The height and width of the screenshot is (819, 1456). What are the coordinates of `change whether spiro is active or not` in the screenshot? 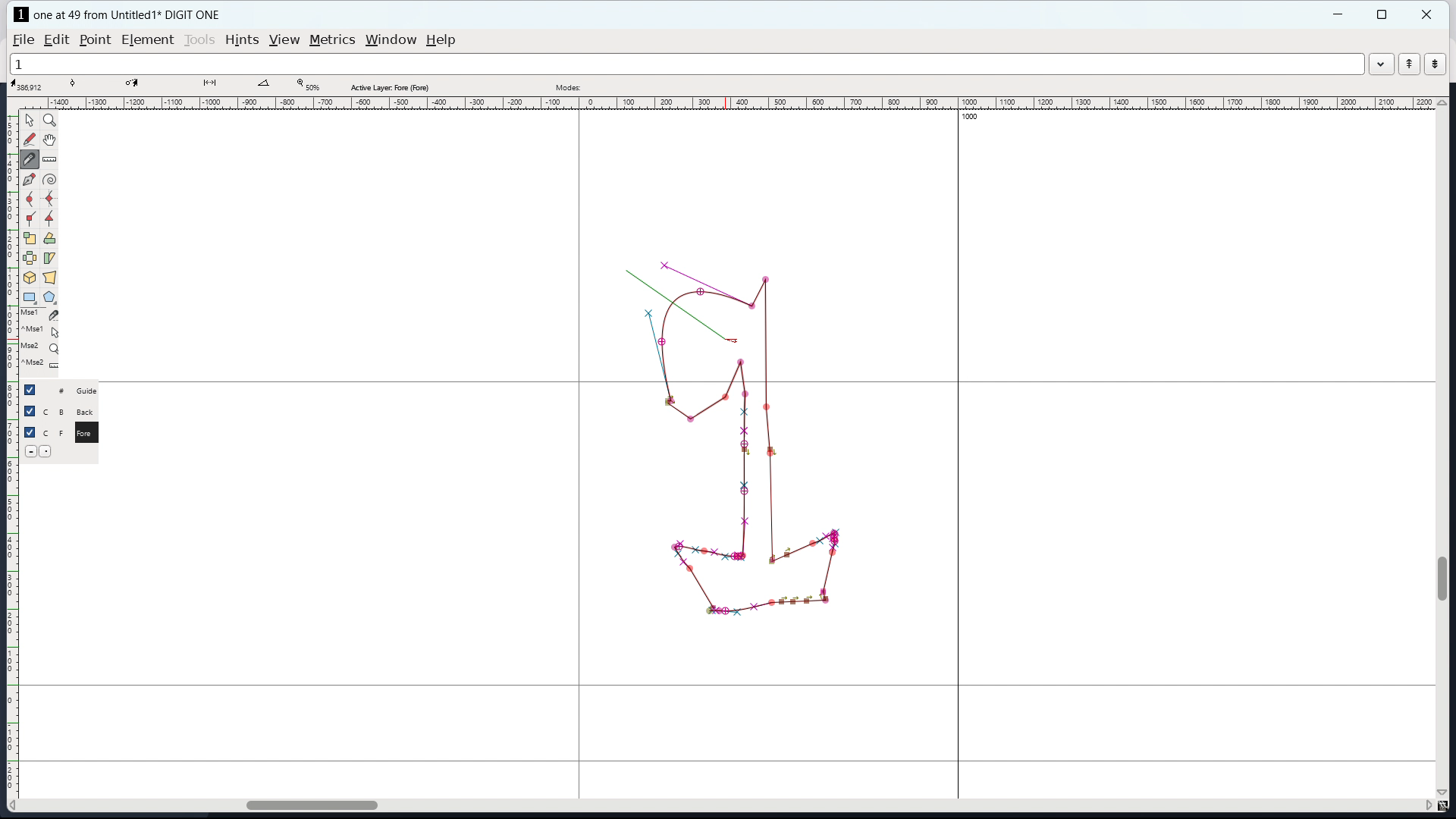 It's located at (49, 180).